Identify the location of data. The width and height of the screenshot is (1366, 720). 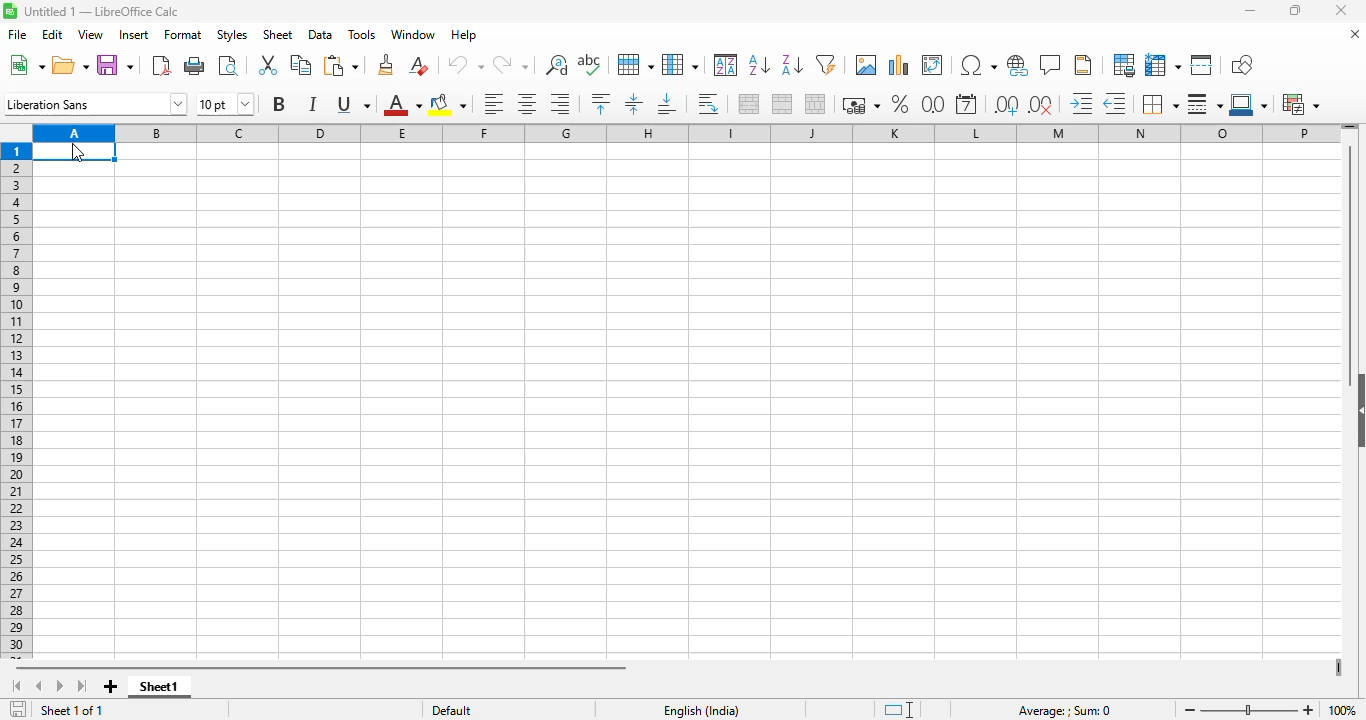
(319, 35).